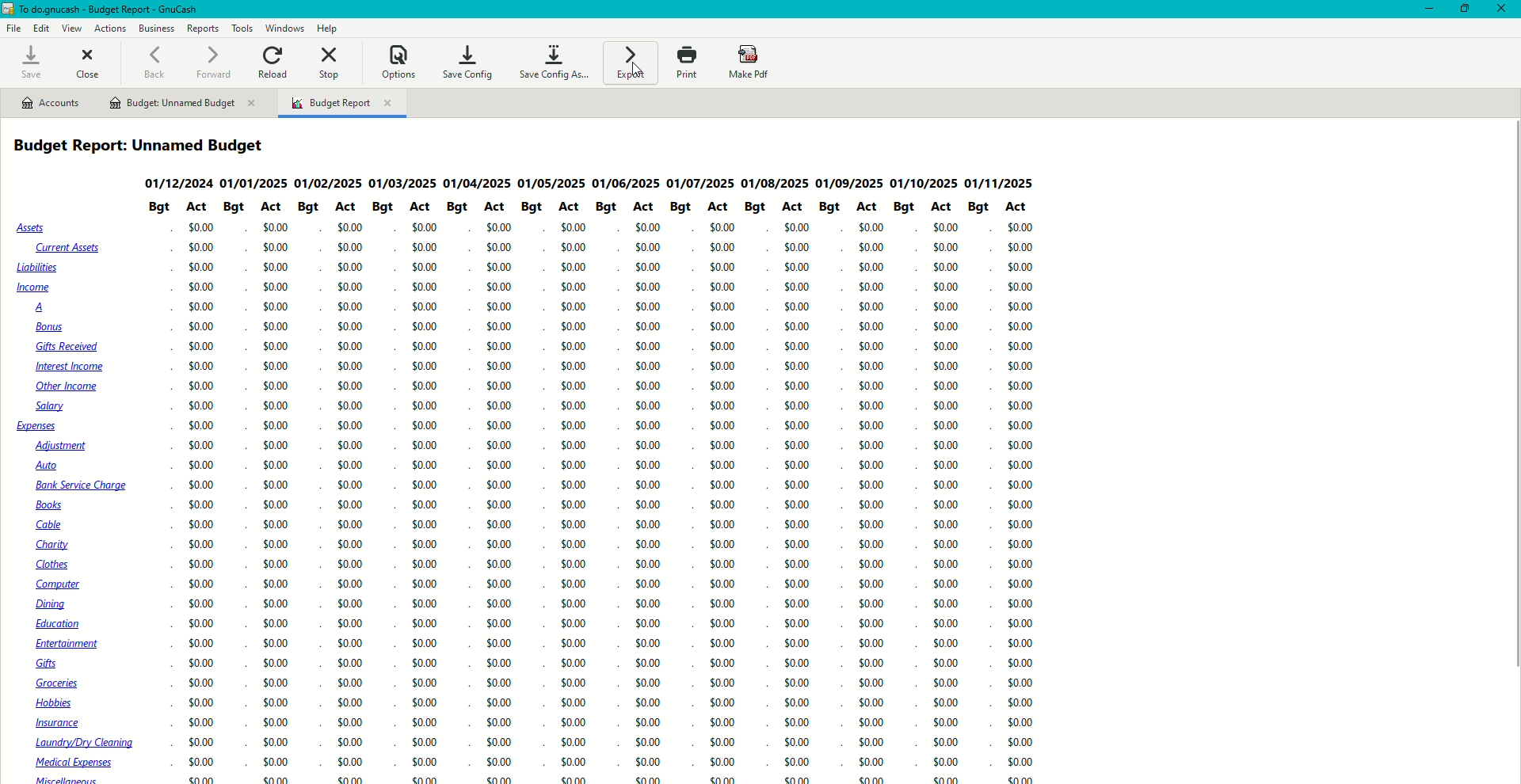  I want to click on $0.0, so click(427, 328).